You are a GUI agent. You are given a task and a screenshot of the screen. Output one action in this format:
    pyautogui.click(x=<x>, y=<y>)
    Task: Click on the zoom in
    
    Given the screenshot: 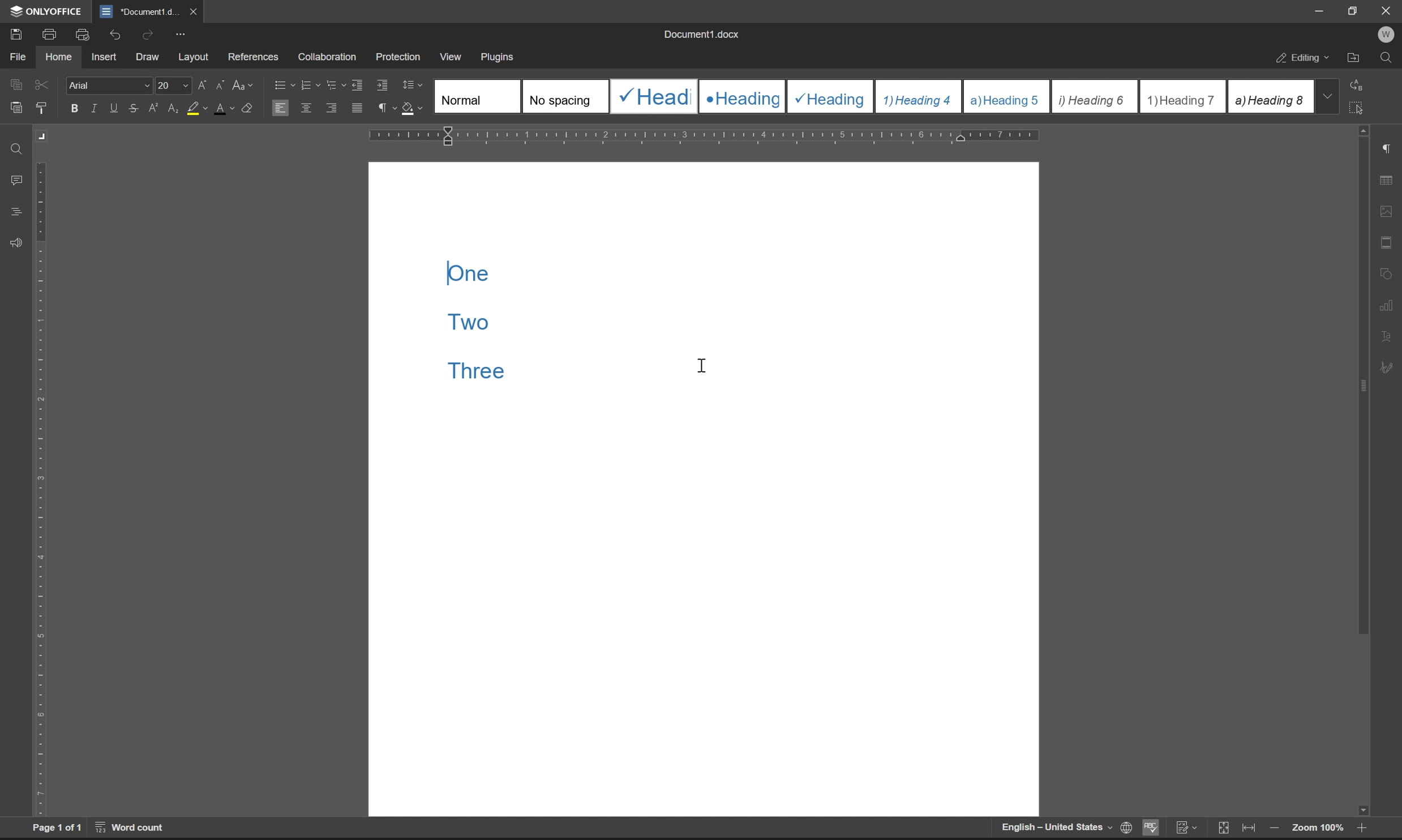 What is the action you would take?
    pyautogui.click(x=1359, y=830)
    